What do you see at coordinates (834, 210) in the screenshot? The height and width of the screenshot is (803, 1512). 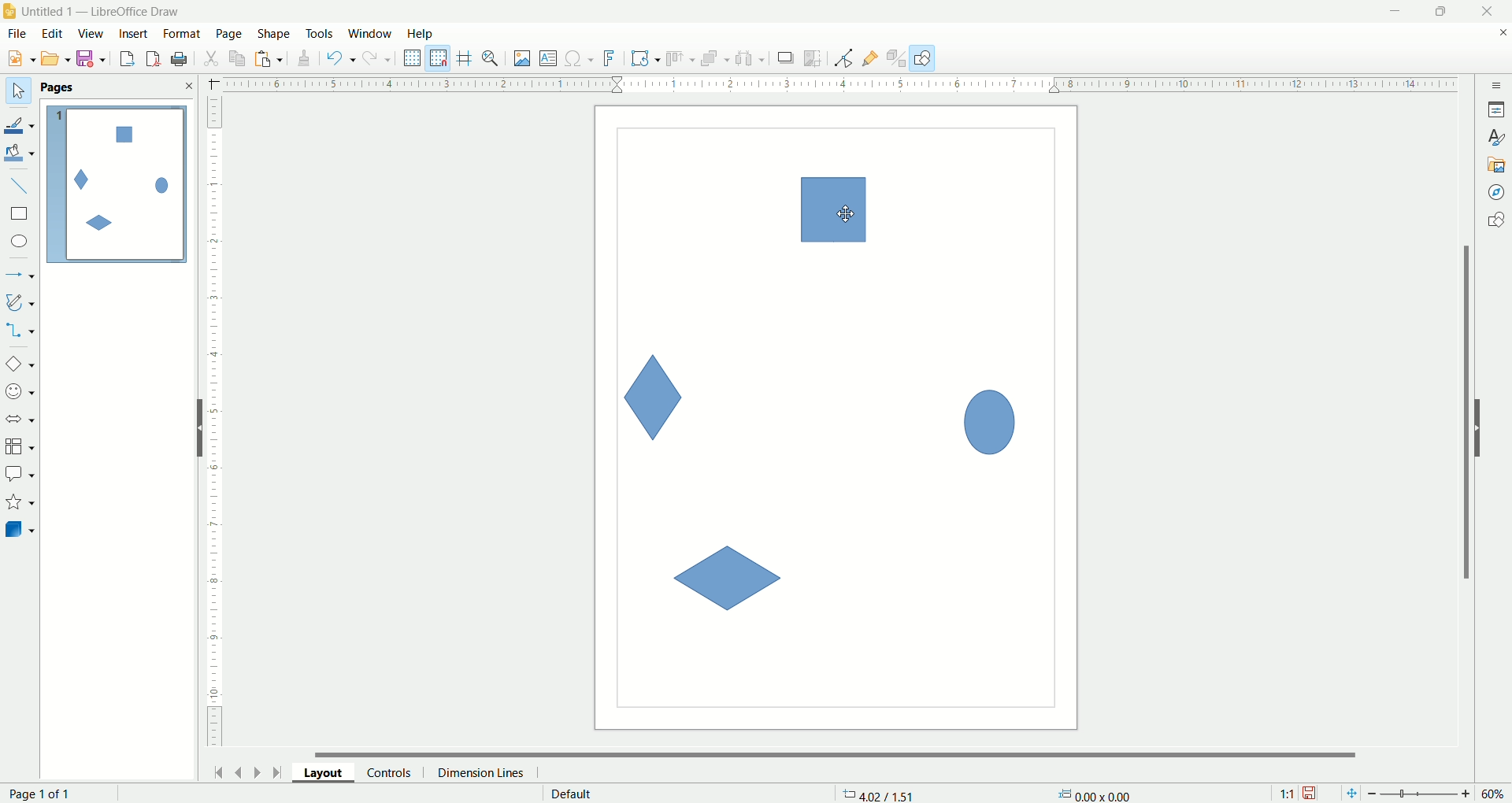 I see `selected shape` at bounding box center [834, 210].